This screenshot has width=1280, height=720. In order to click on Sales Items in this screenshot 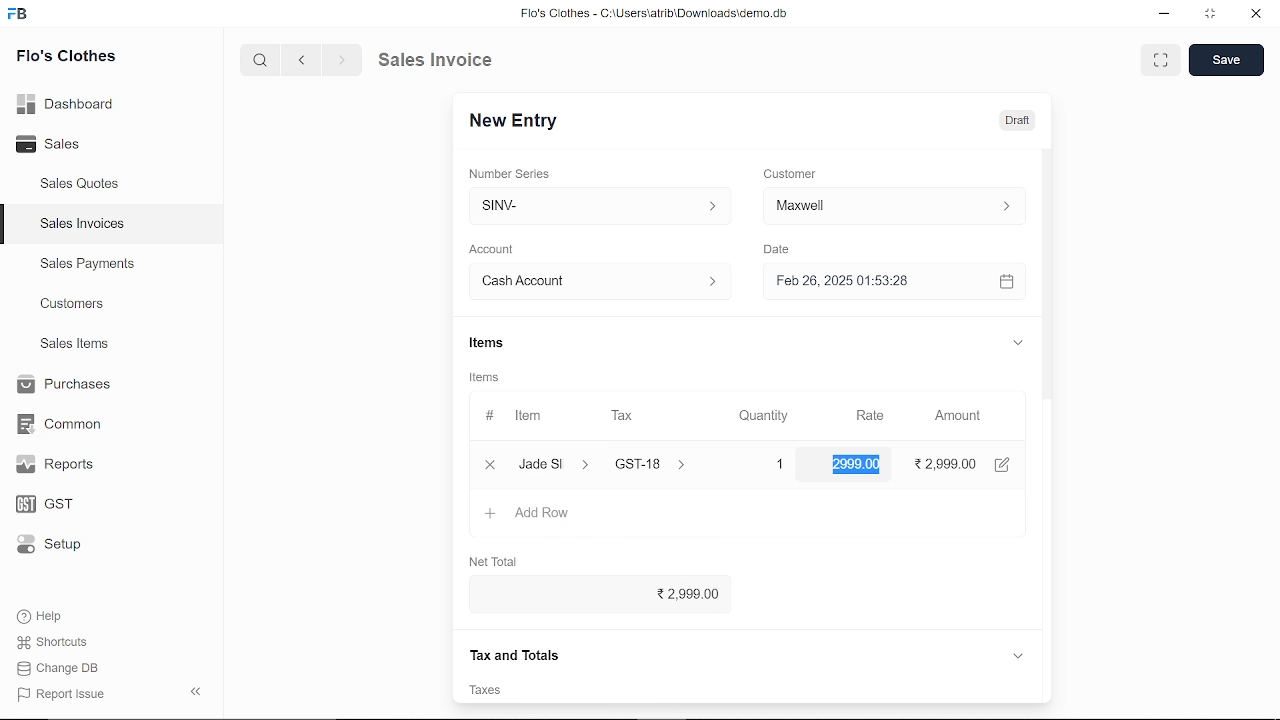, I will do `click(74, 346)`.